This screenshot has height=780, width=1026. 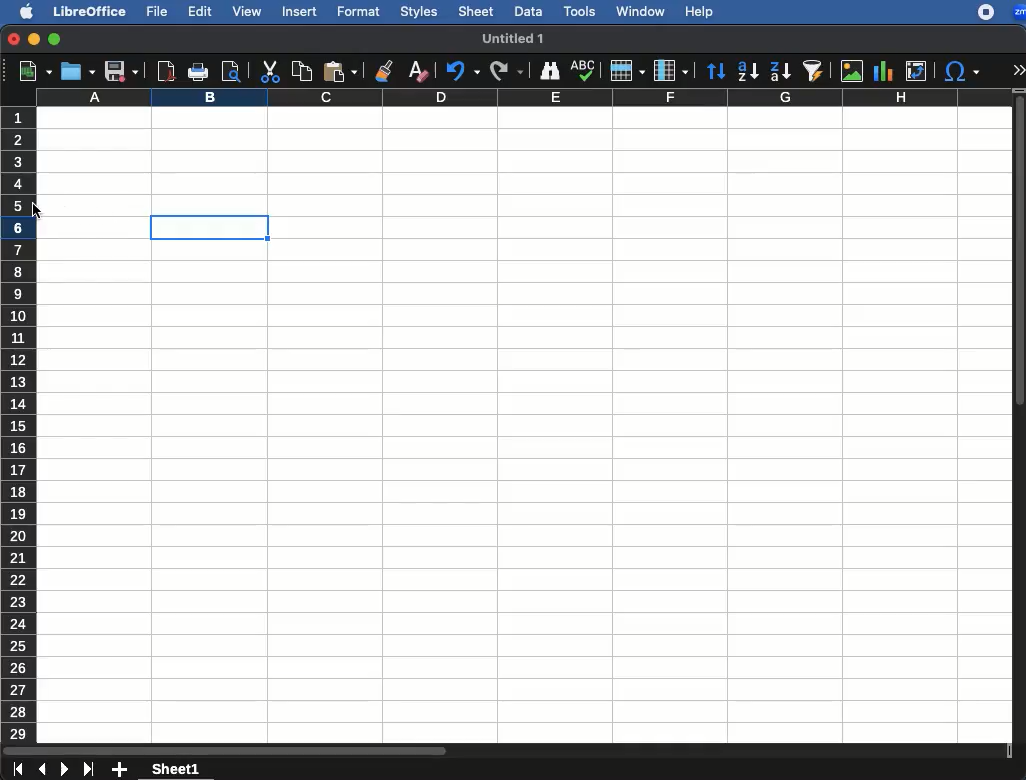 What do you see at coordinates (626, 72) in the screenshot?
I see `row` at bounding box center [626, 72].